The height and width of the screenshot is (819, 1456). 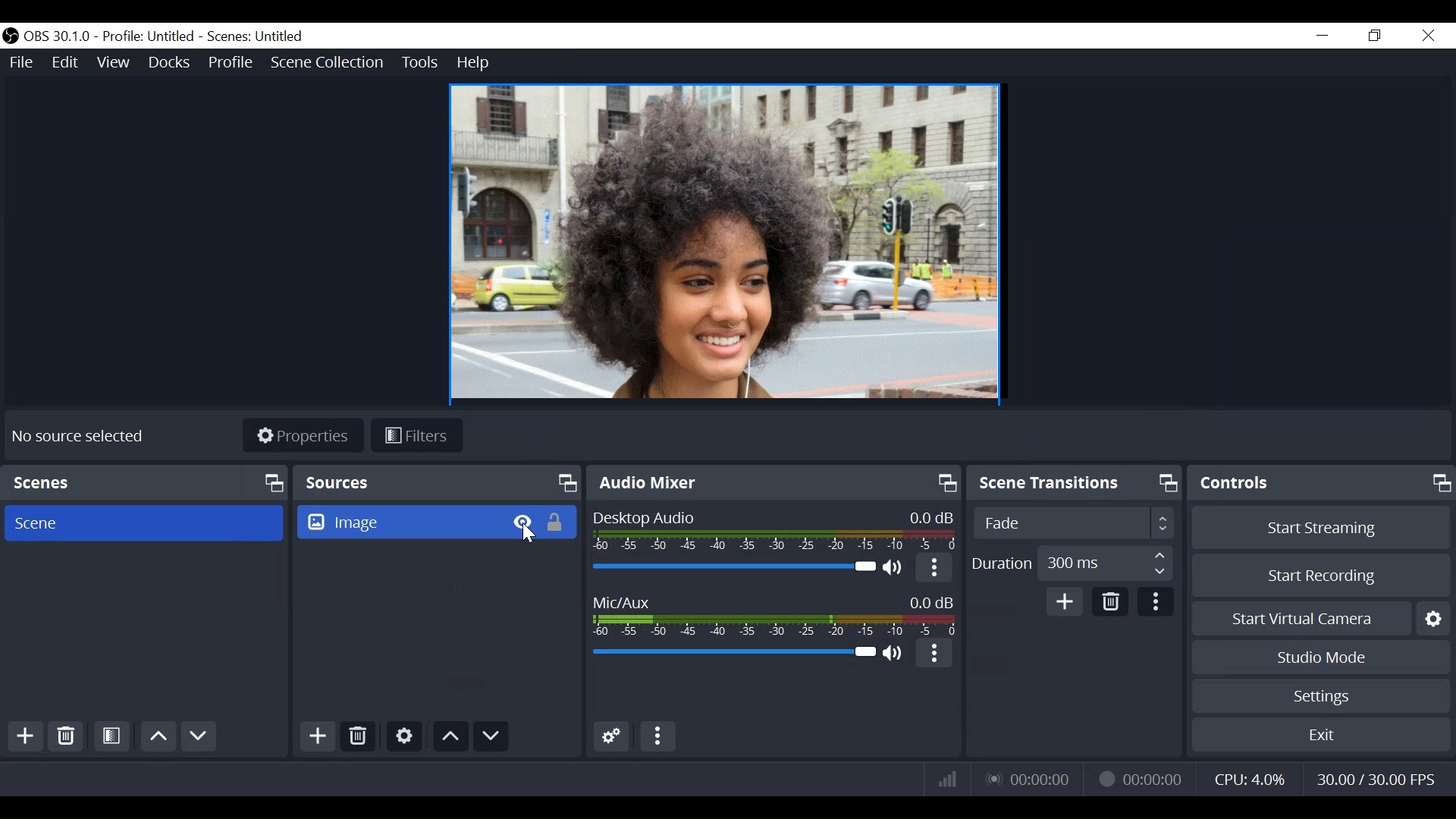 What do you see at coordinates (1376, 35) in the screenshot?
I see `restore` at bounding box center [1376, 35].